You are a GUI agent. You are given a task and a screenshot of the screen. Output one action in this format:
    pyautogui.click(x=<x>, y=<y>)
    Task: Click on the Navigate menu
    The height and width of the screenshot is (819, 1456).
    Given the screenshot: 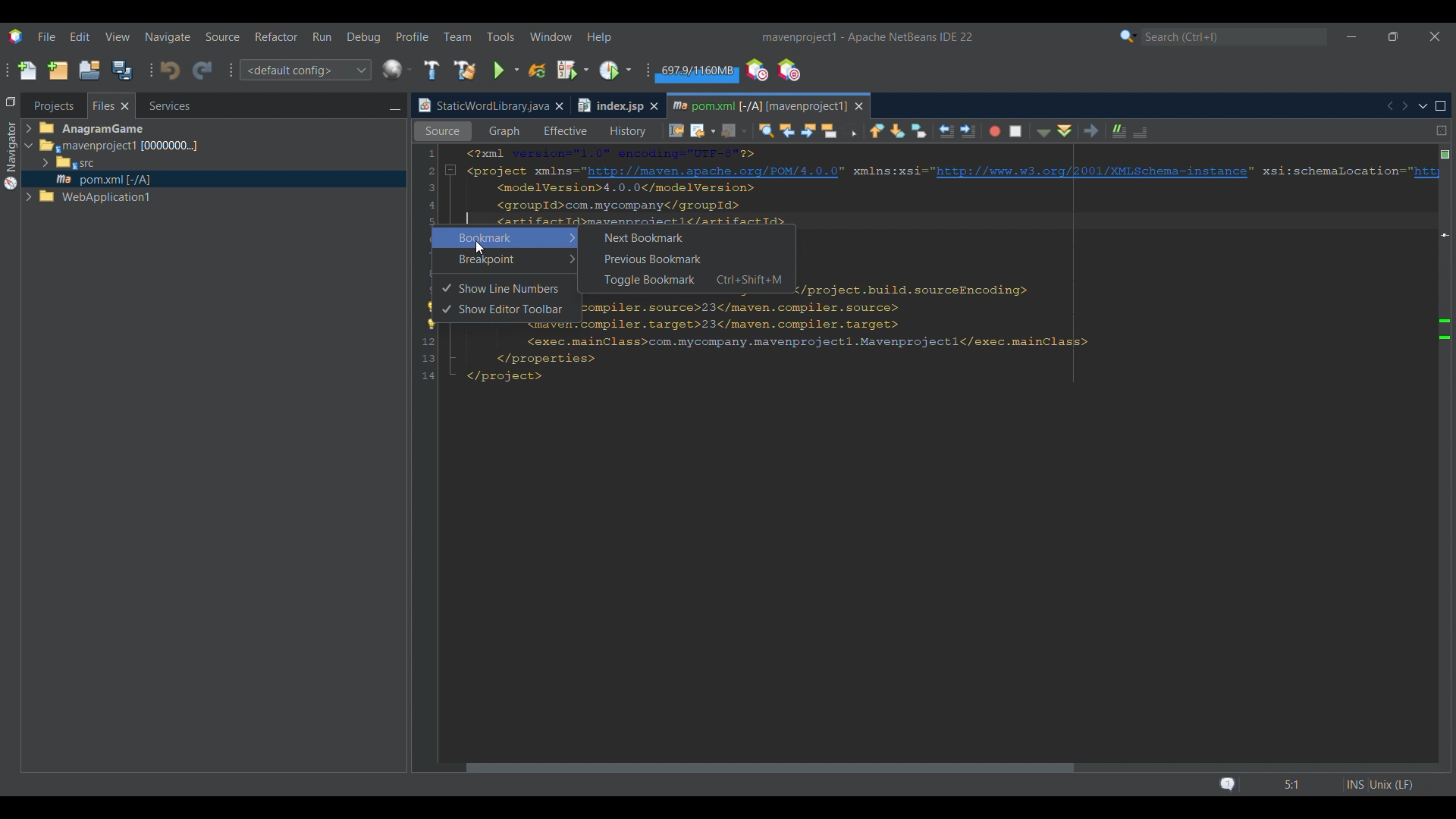 What is the action you would take?
    pyautogui.click(x=168, y=37)
    